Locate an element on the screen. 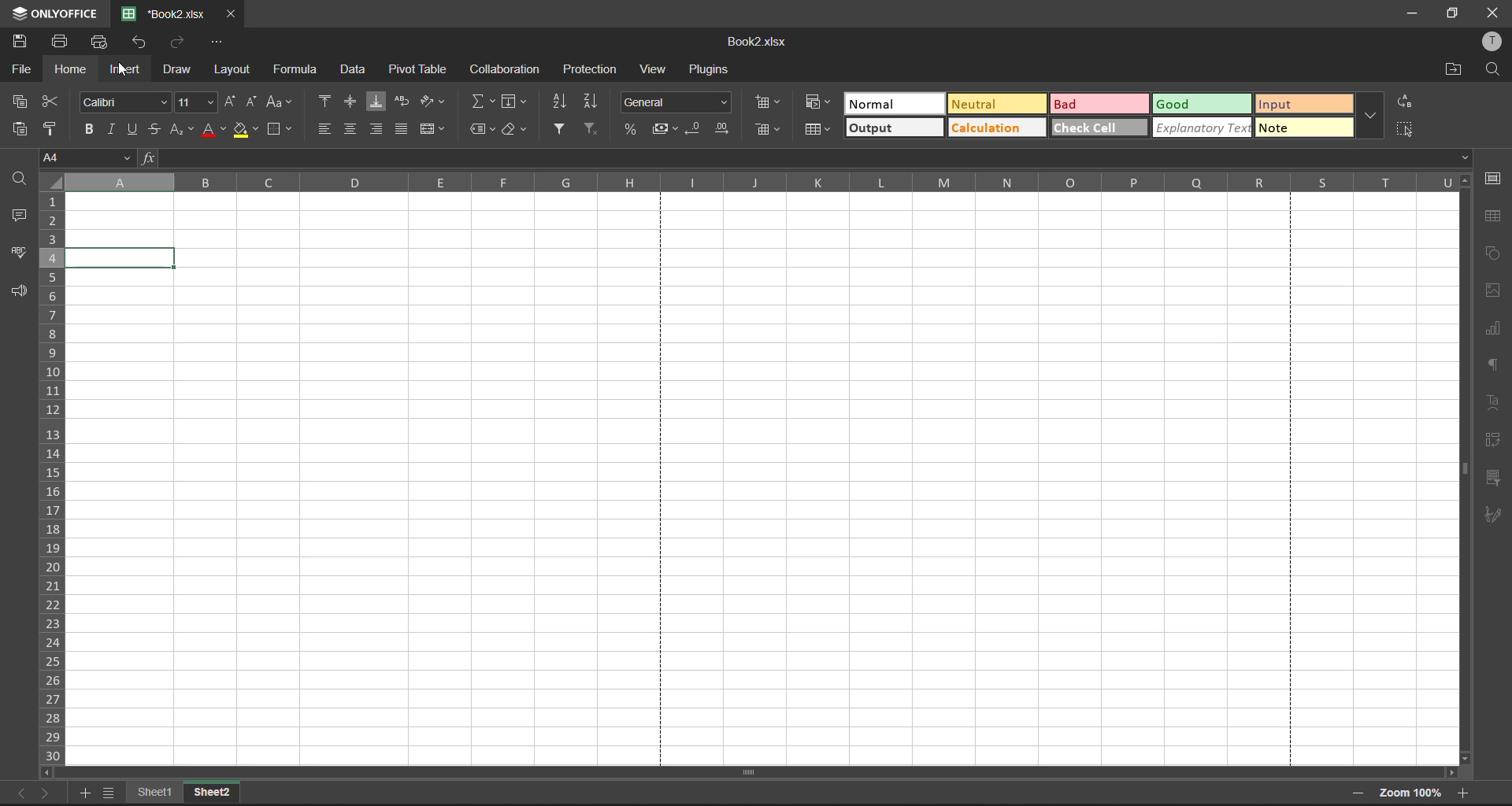 The width and height of the screenshot is (1512, 806). merge and center is located at coordinates (432, 131).